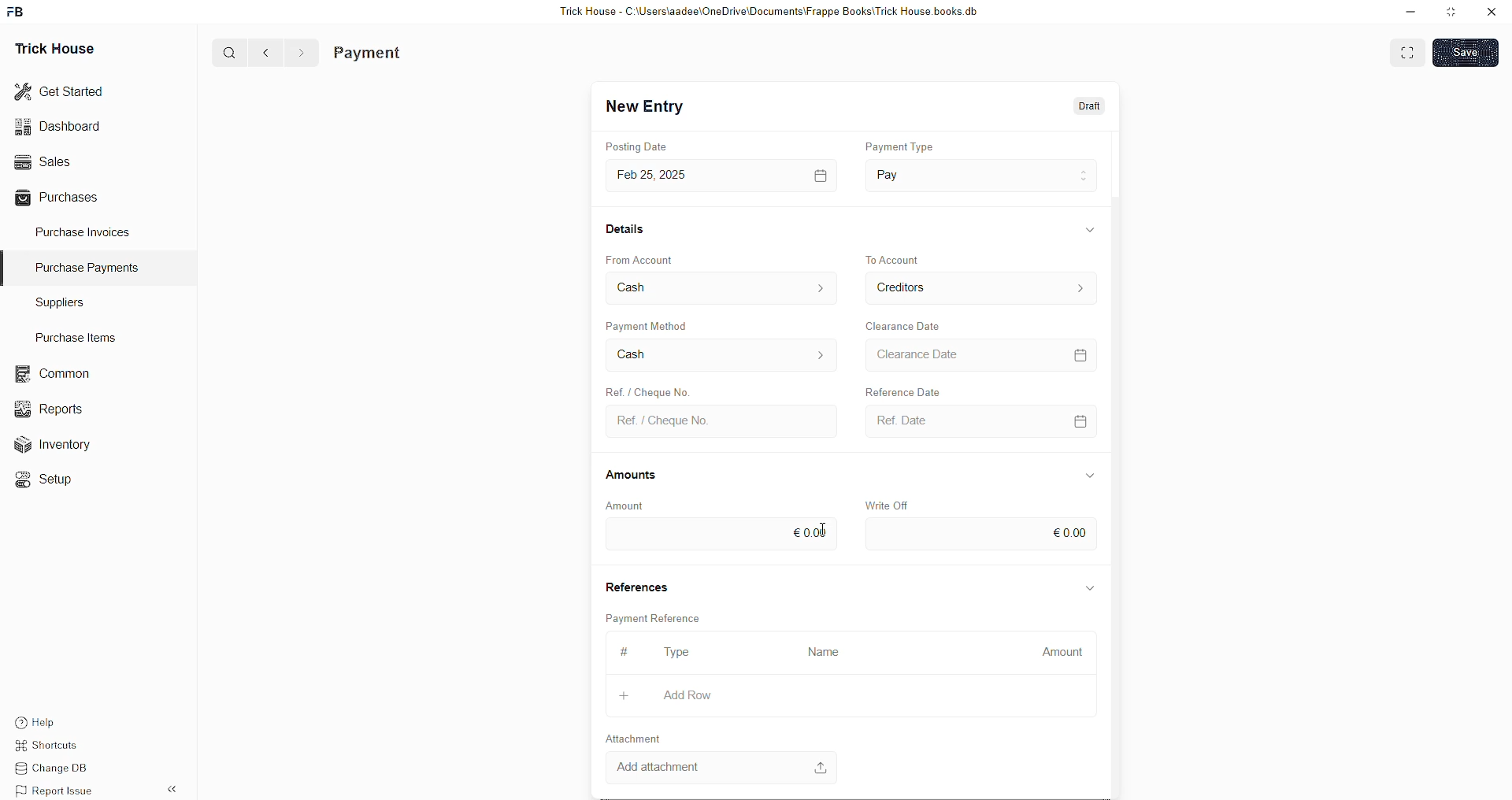 Image resolution: width=1512 pixels, height=800 pixels. What do you see at coordinates (628, 476) in the screenshot?
I see `Amounts` at bounding box center [628, 476].